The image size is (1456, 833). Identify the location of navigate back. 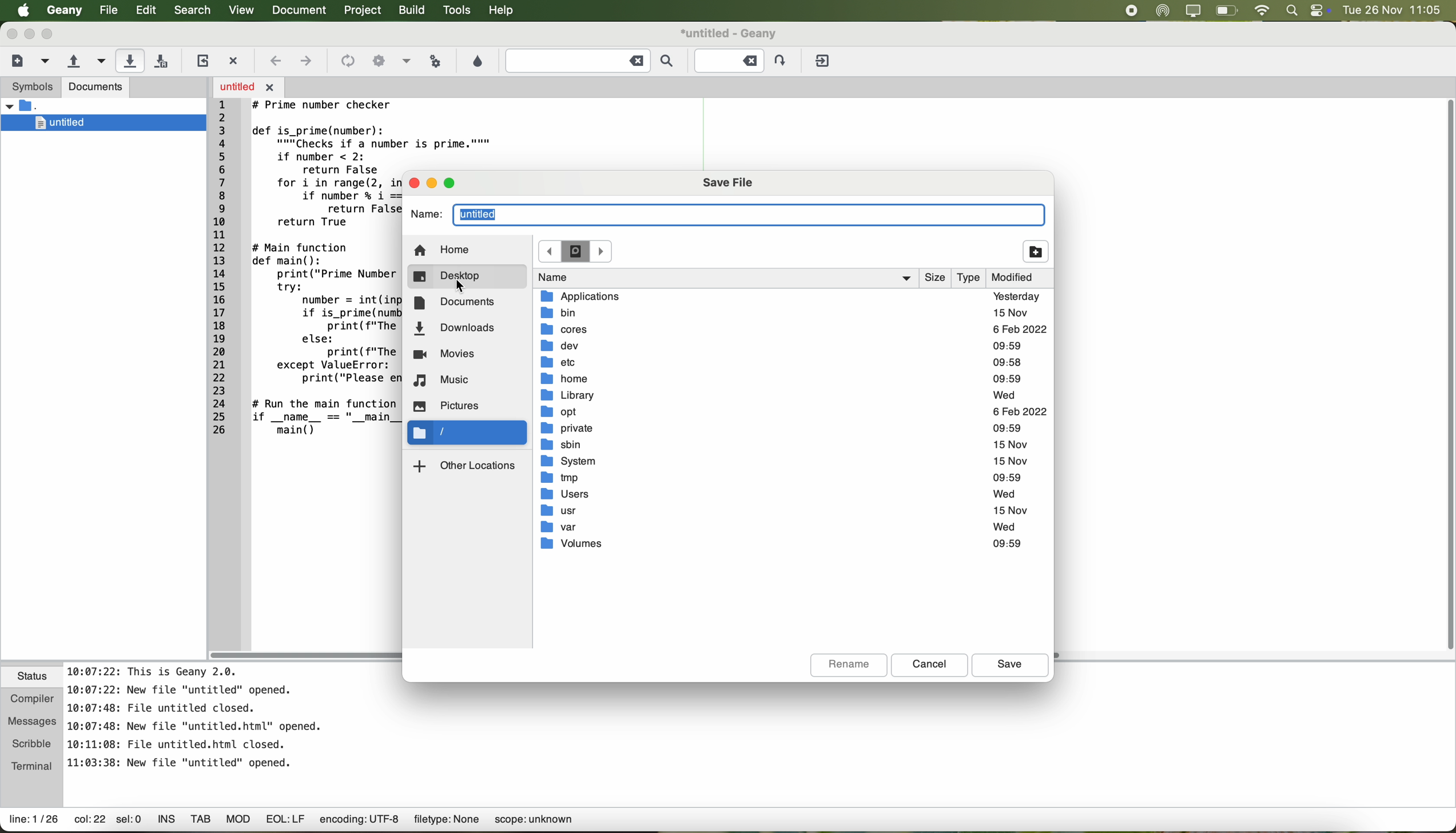
(276, 61).